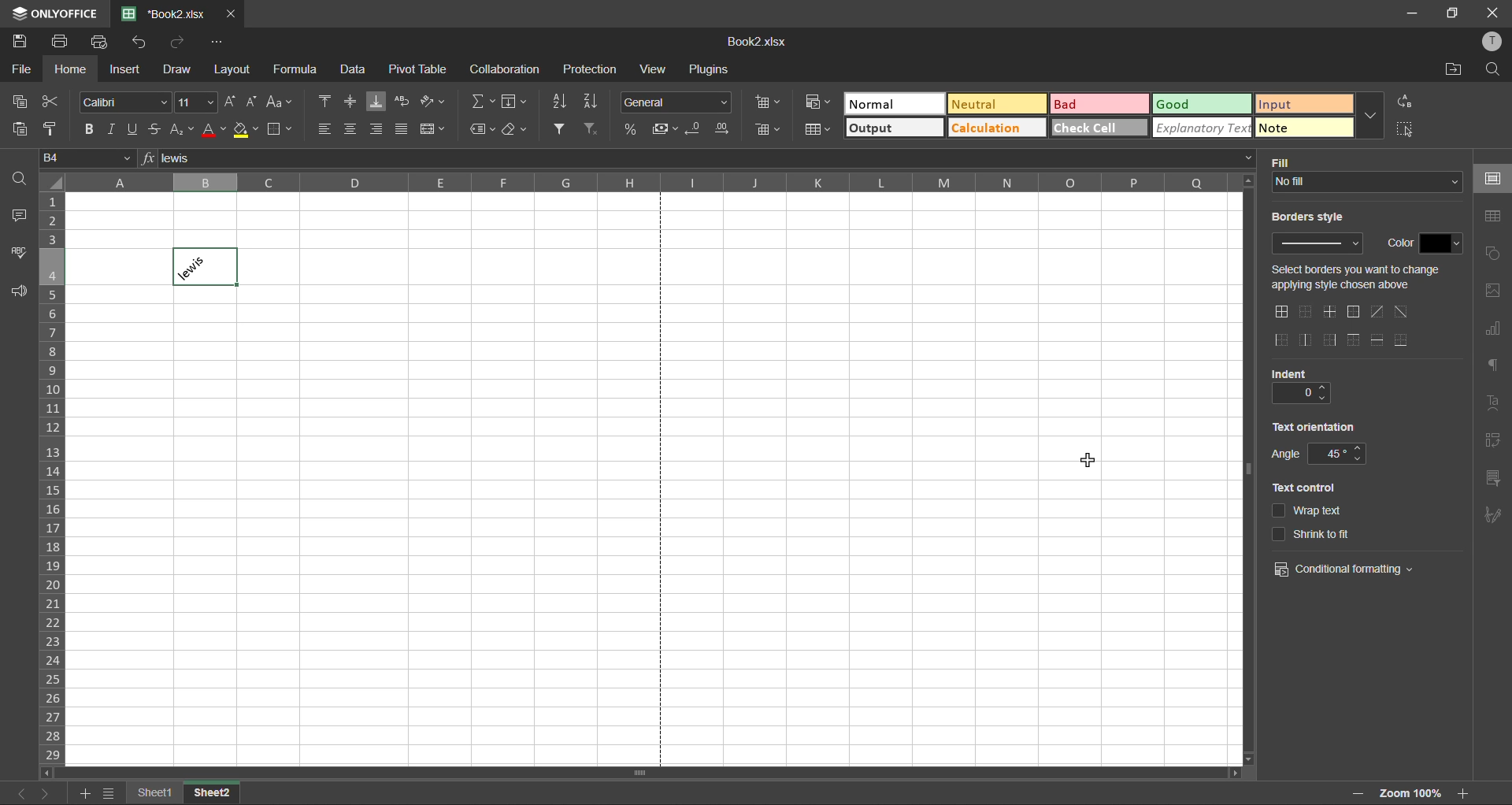  Describe the element at coordinates (432, 130) in the screenshot. I see `merge and center` at that location.